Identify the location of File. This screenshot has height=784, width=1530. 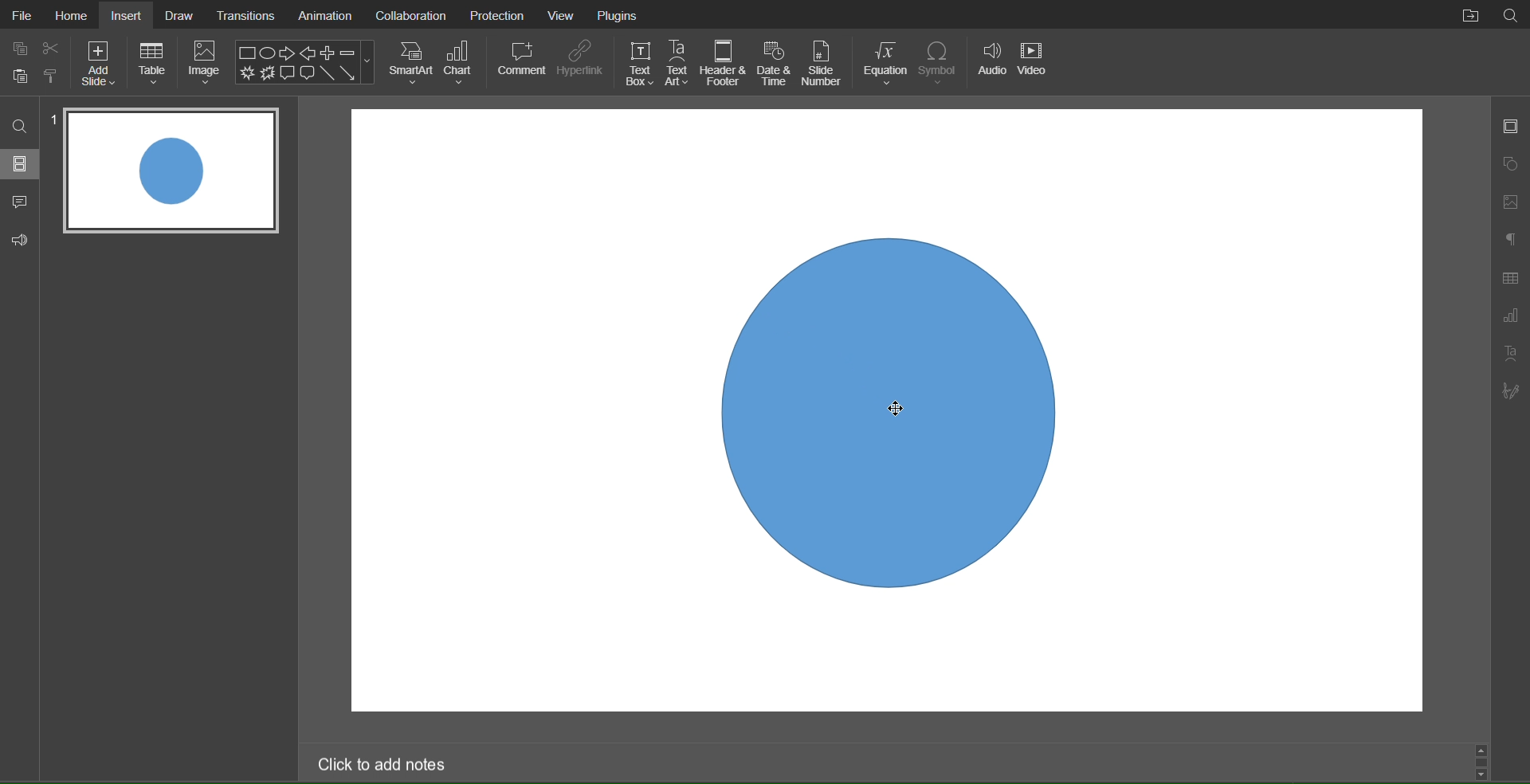
(19, 14).